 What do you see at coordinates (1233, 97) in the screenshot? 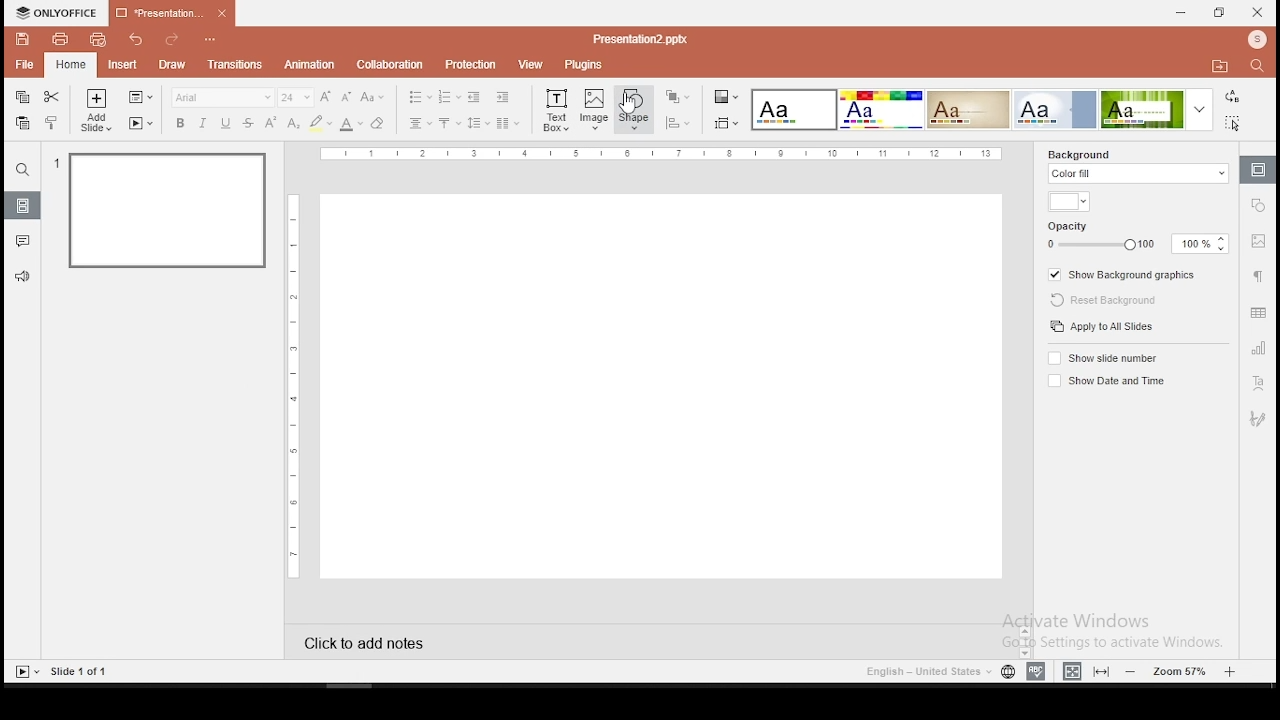
I see `replace` at bounding box center [1233, 97].